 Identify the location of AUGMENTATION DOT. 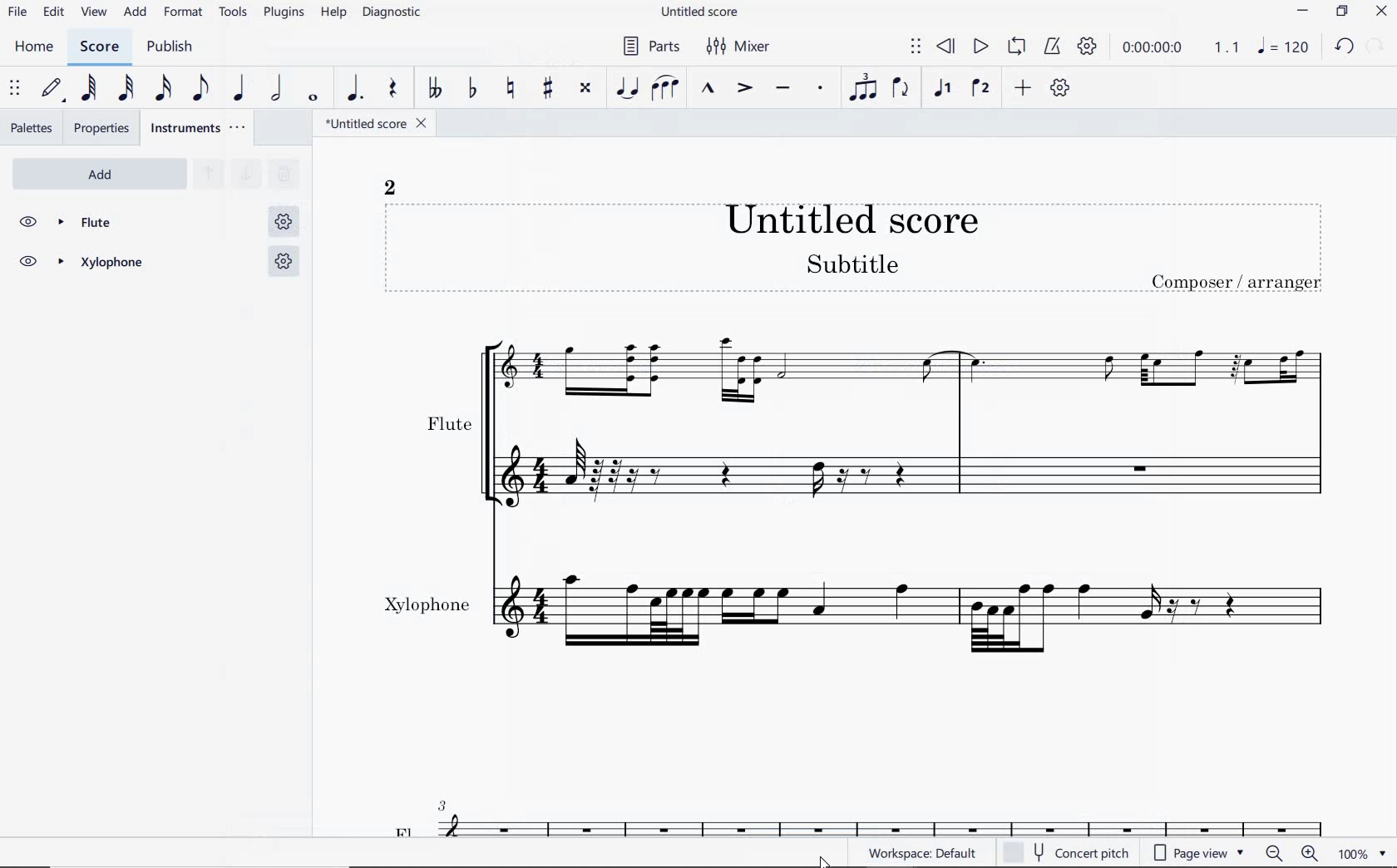
(356, 88).